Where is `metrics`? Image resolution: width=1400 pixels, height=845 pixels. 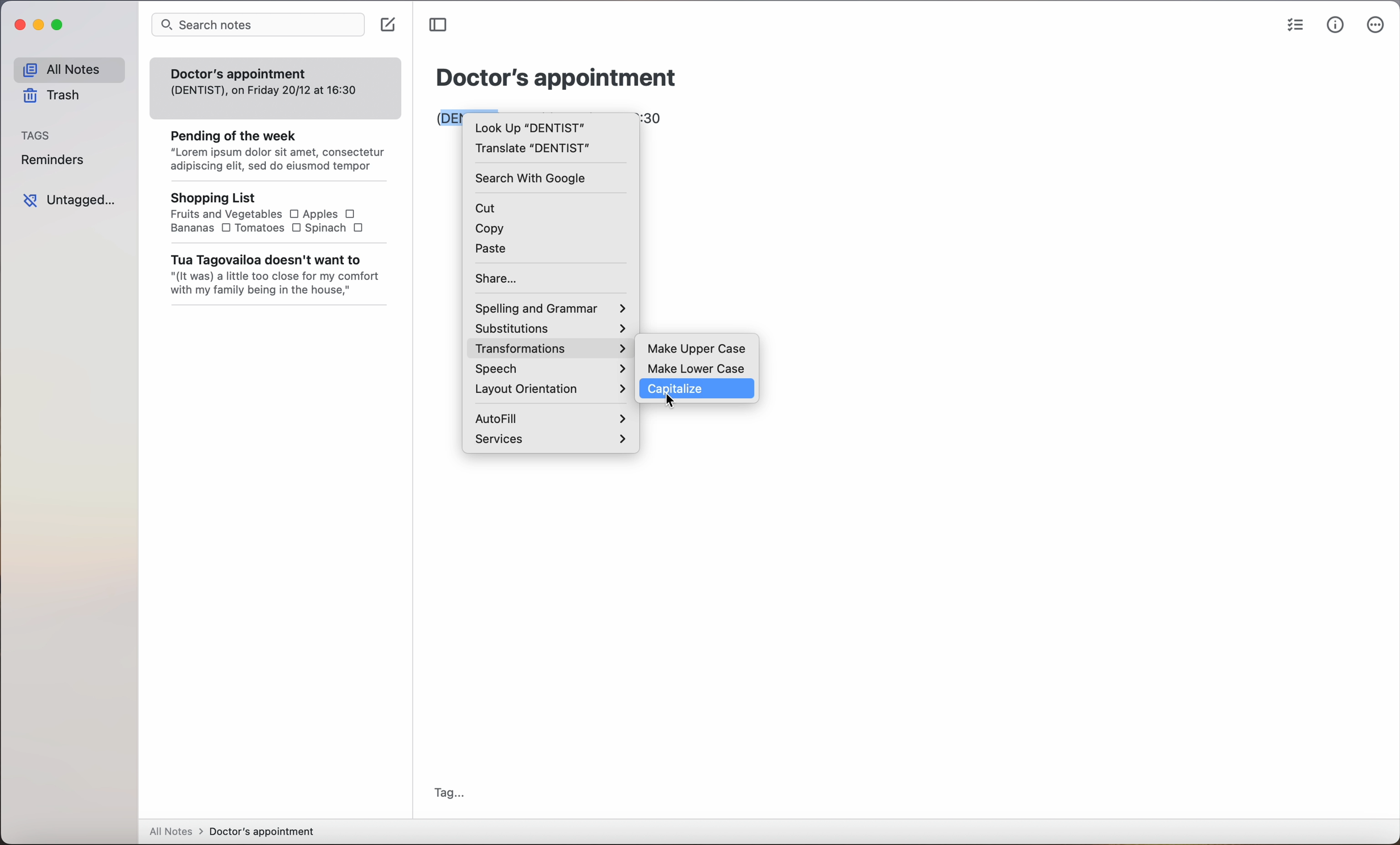
metrics is located at coordinates (1335, 26).